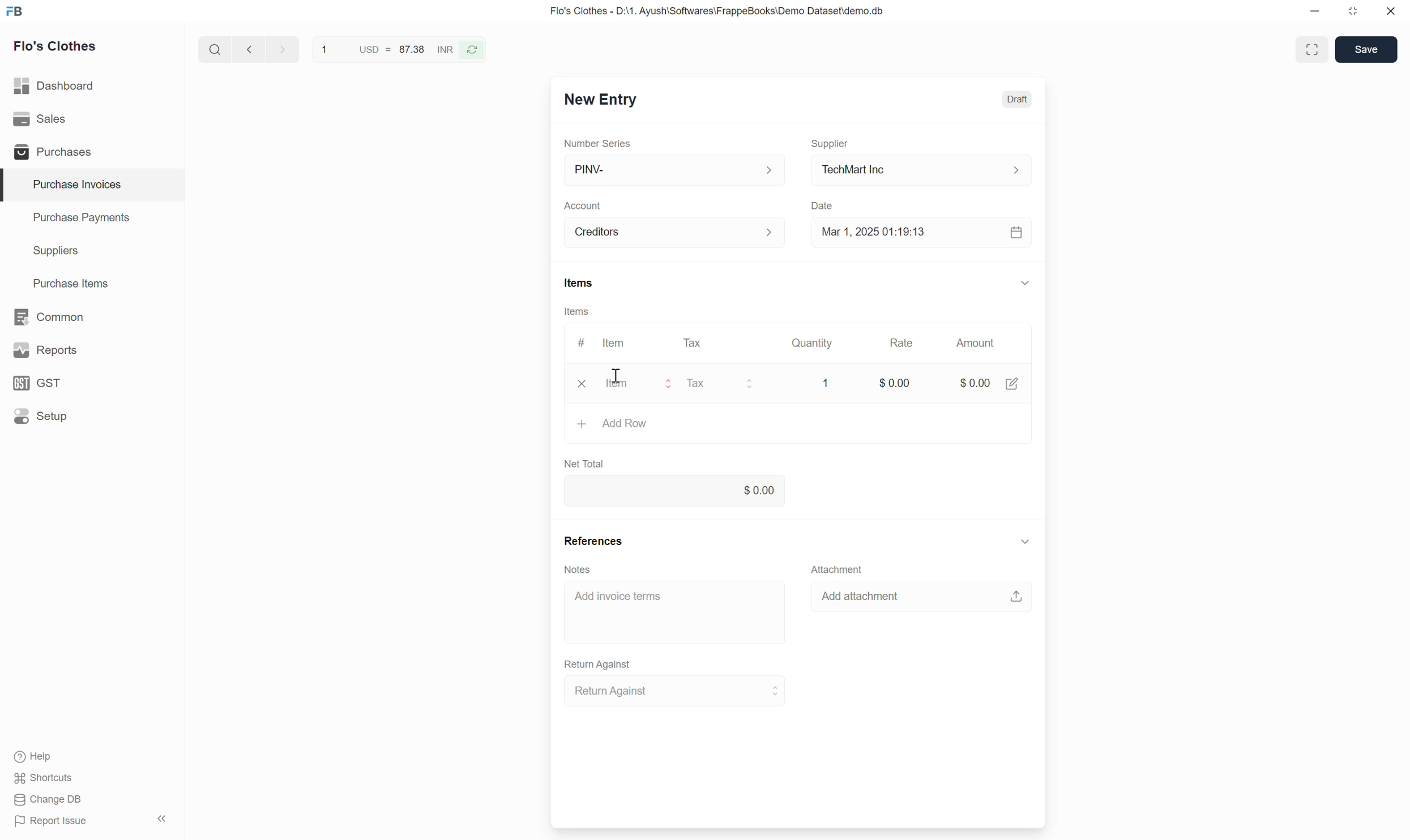 The height and width of the screenshot is (840, 1410). I want to click on GST, so click(42, 383).